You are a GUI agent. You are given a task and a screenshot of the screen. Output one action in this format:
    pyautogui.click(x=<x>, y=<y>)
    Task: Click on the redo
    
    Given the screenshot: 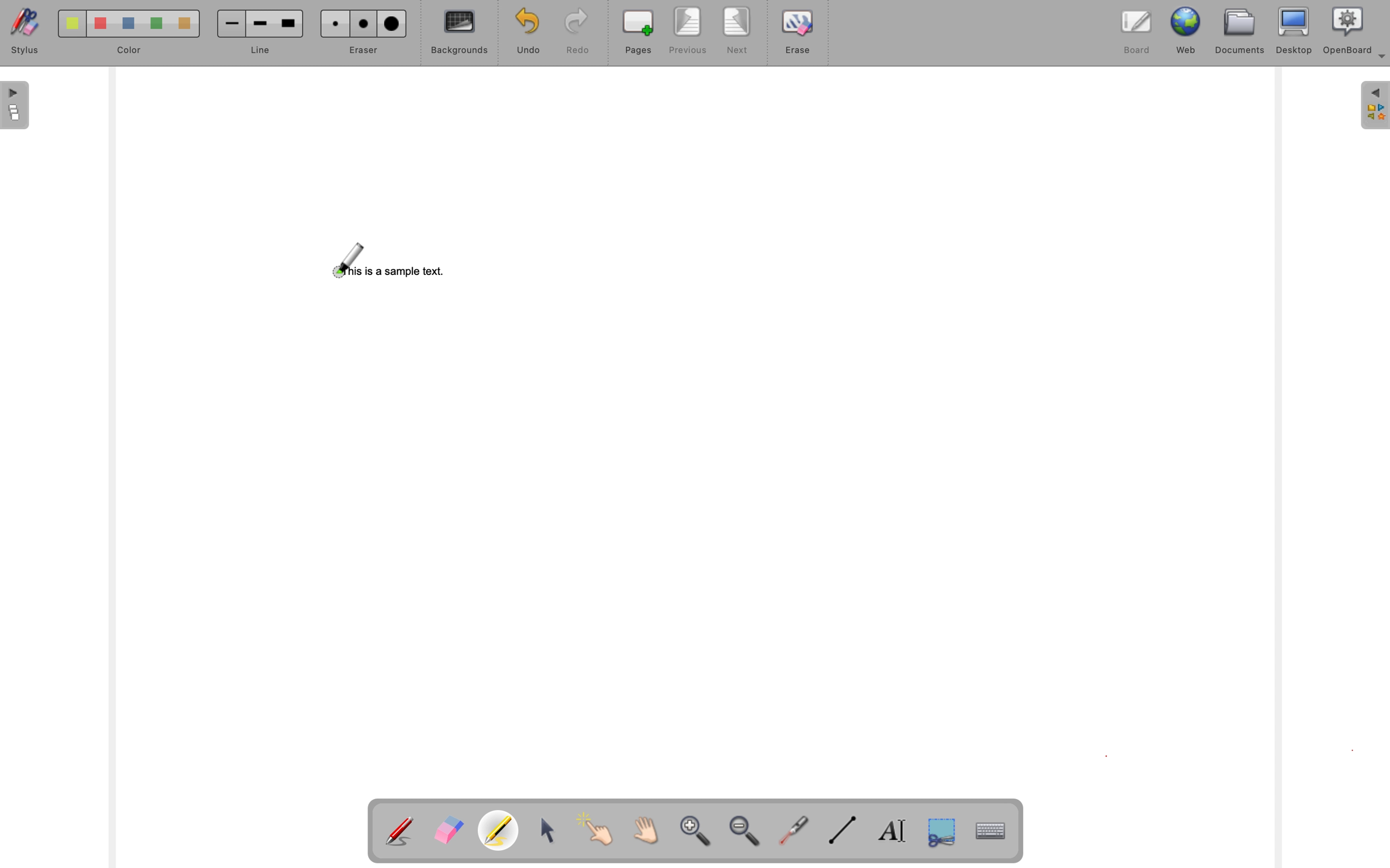 What is the action you would take?
    pyautogui.click(x=572, y=33)
    